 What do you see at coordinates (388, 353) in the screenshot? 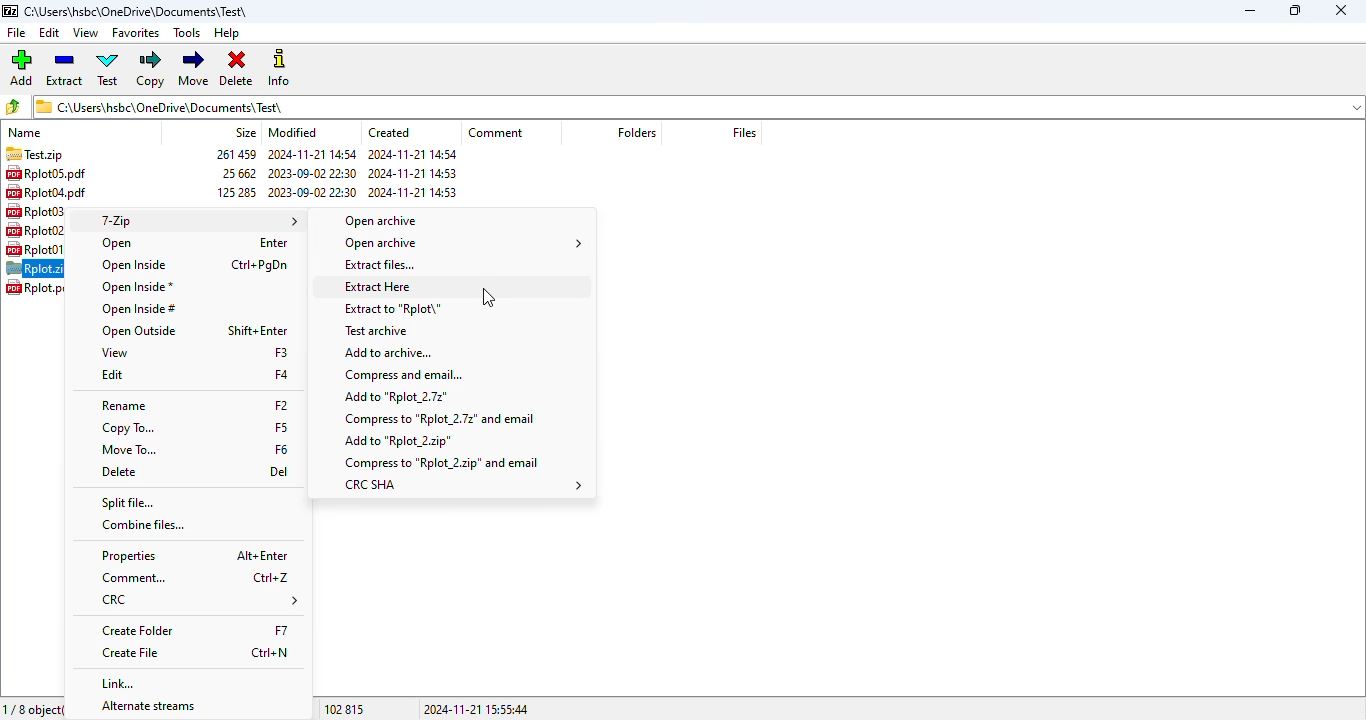
I see `add to archive` at bounding box center [388, 353].